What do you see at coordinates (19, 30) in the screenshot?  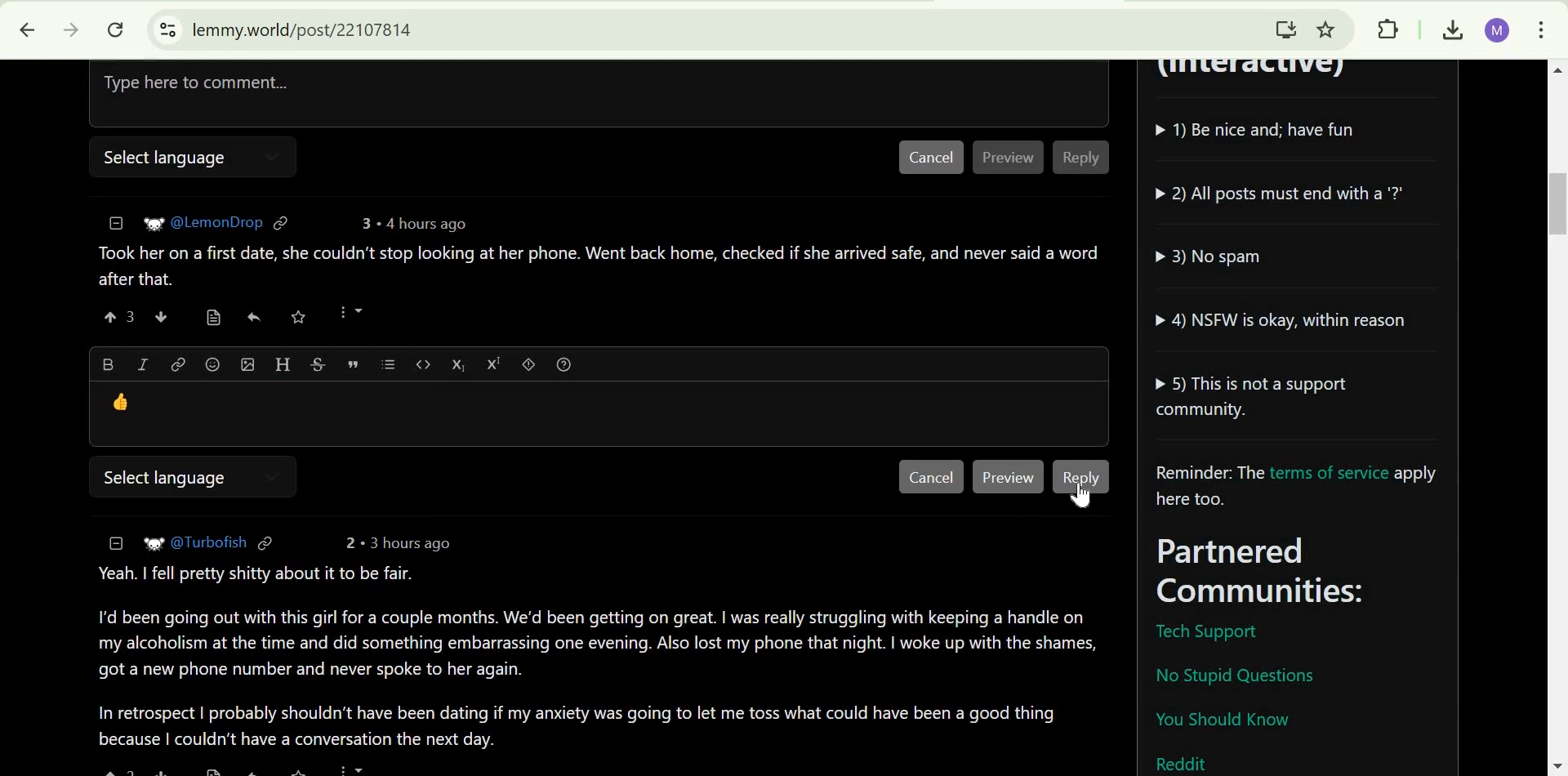 I see `Click to go back, hold to see history` at bounding box center [19, 30].